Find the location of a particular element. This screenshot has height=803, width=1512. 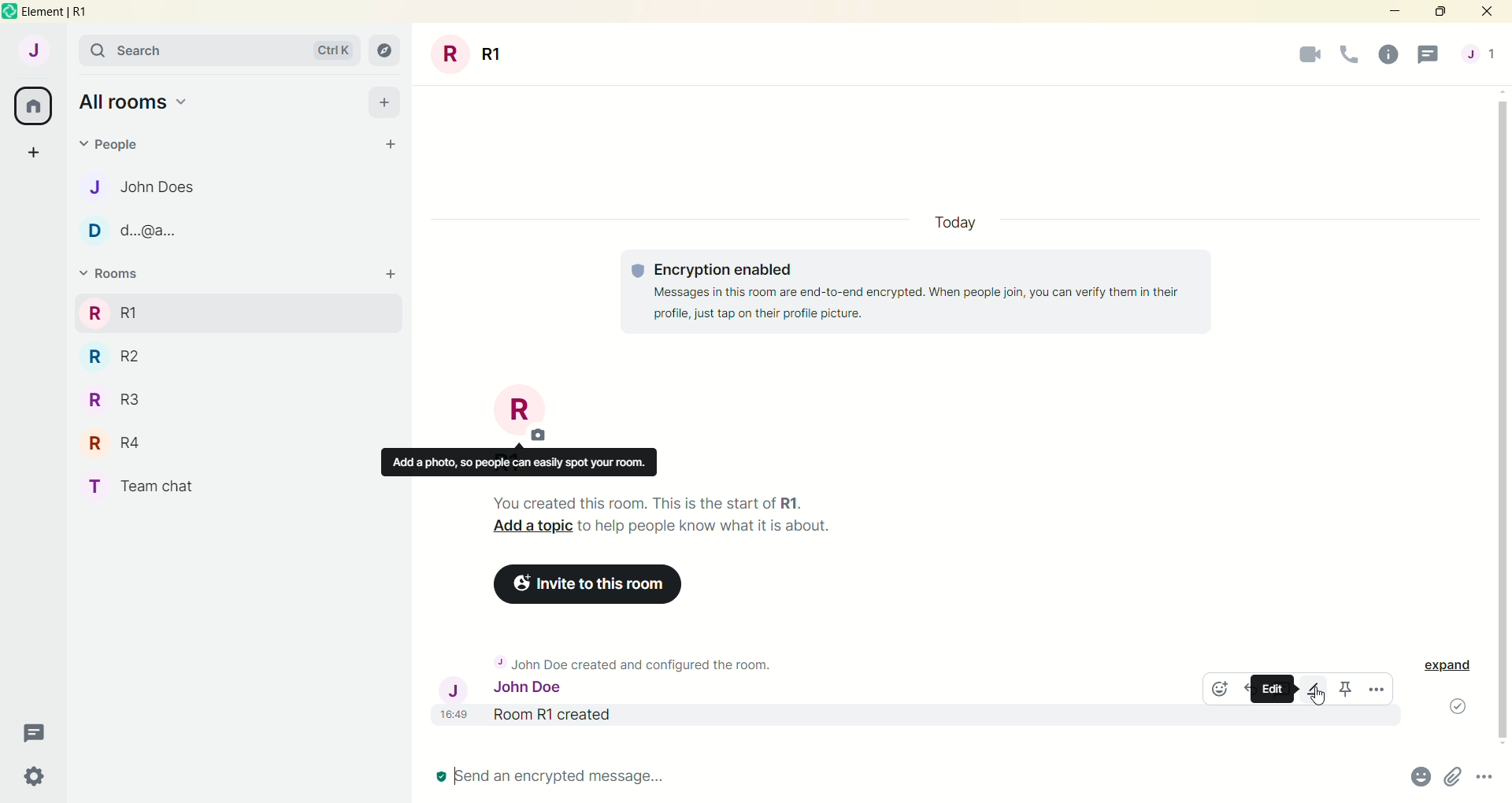

send message is located at coordinates (569, 779).